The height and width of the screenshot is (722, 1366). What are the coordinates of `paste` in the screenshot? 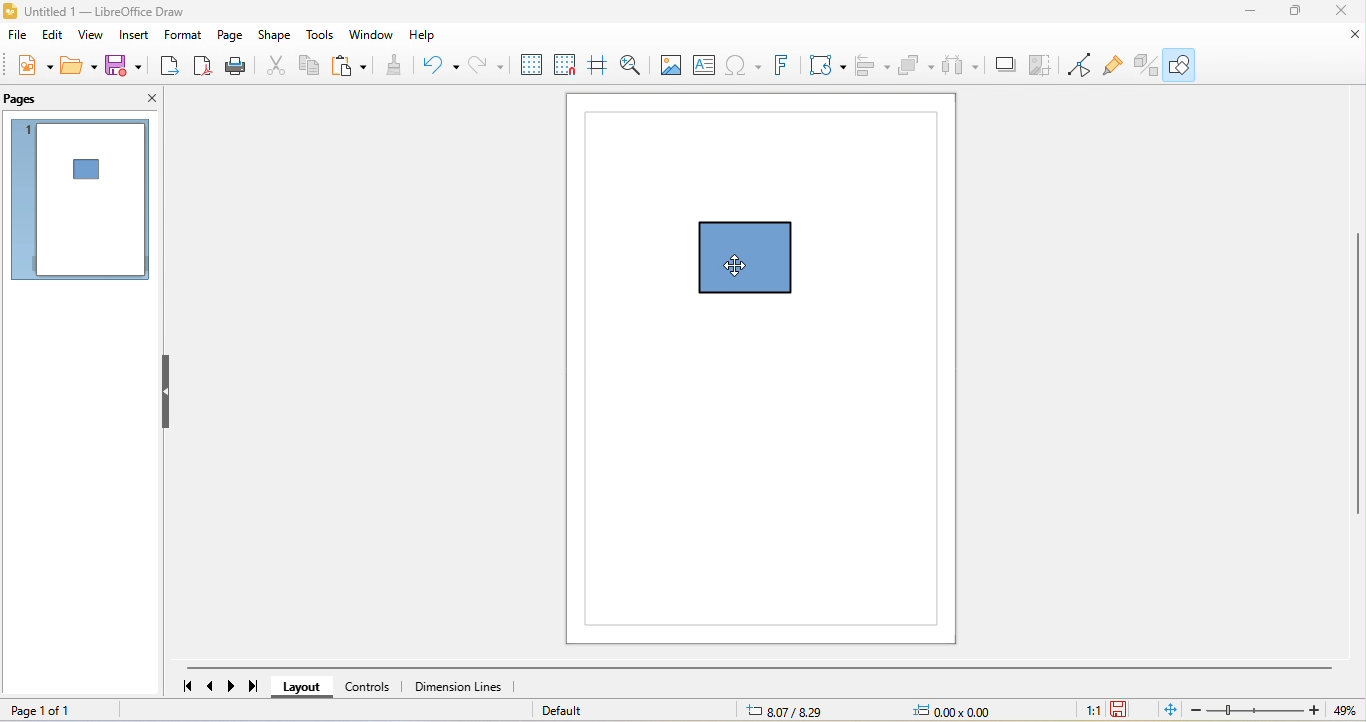 It's located at (352, 69).